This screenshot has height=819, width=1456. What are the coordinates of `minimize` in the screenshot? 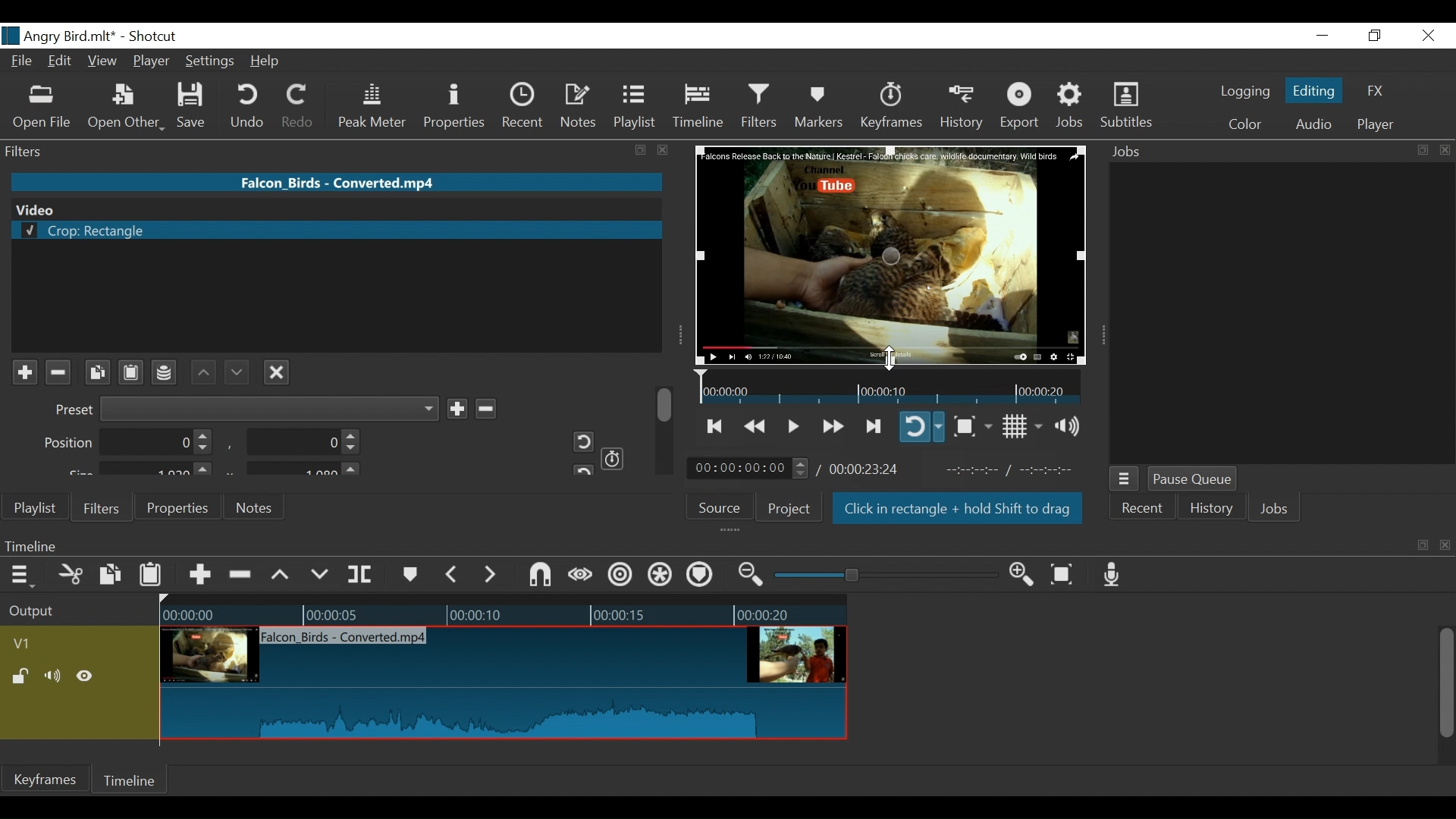 It's located at (1322, 36).